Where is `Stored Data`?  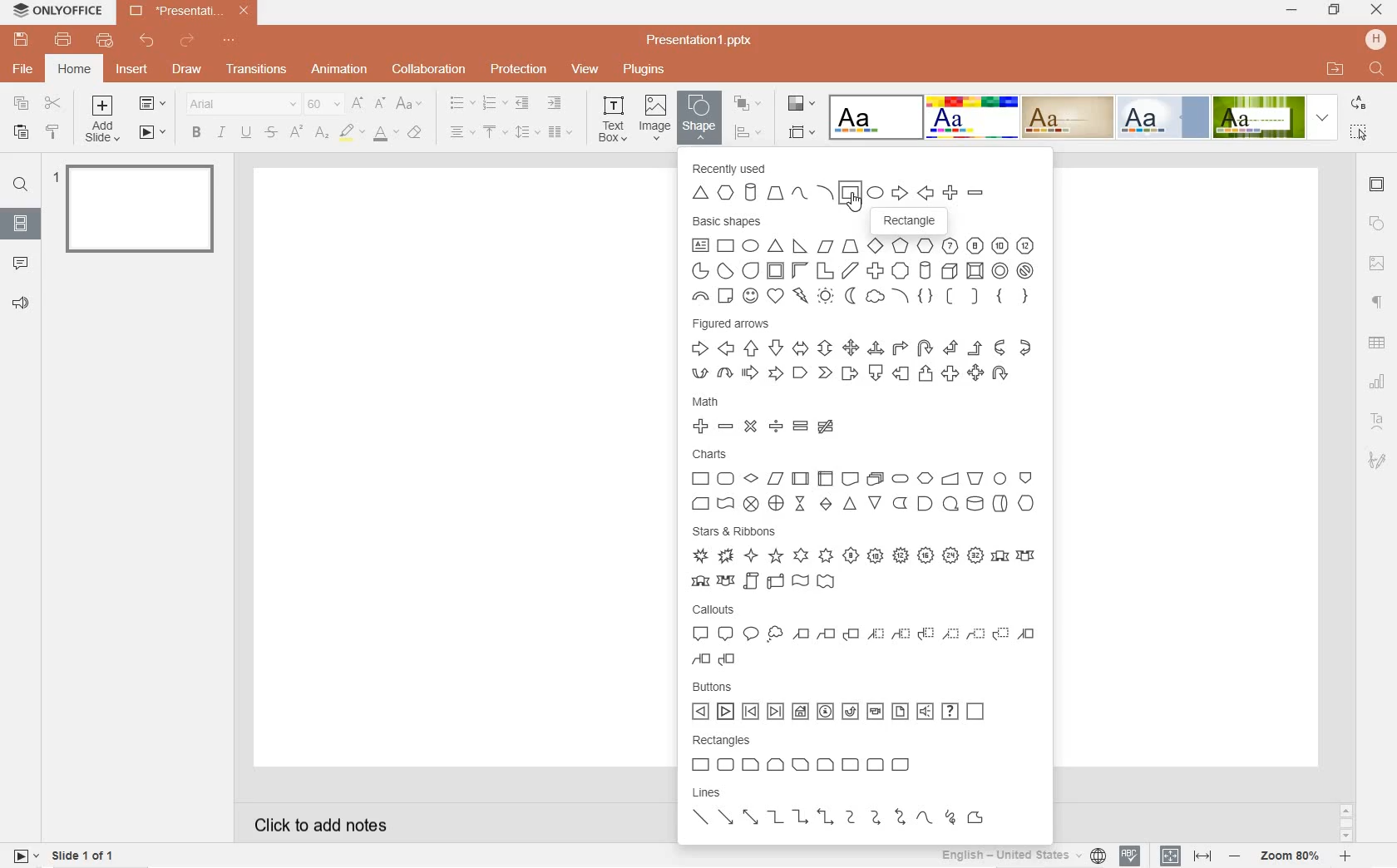
Stored Data is located at coordinates (901, 502).